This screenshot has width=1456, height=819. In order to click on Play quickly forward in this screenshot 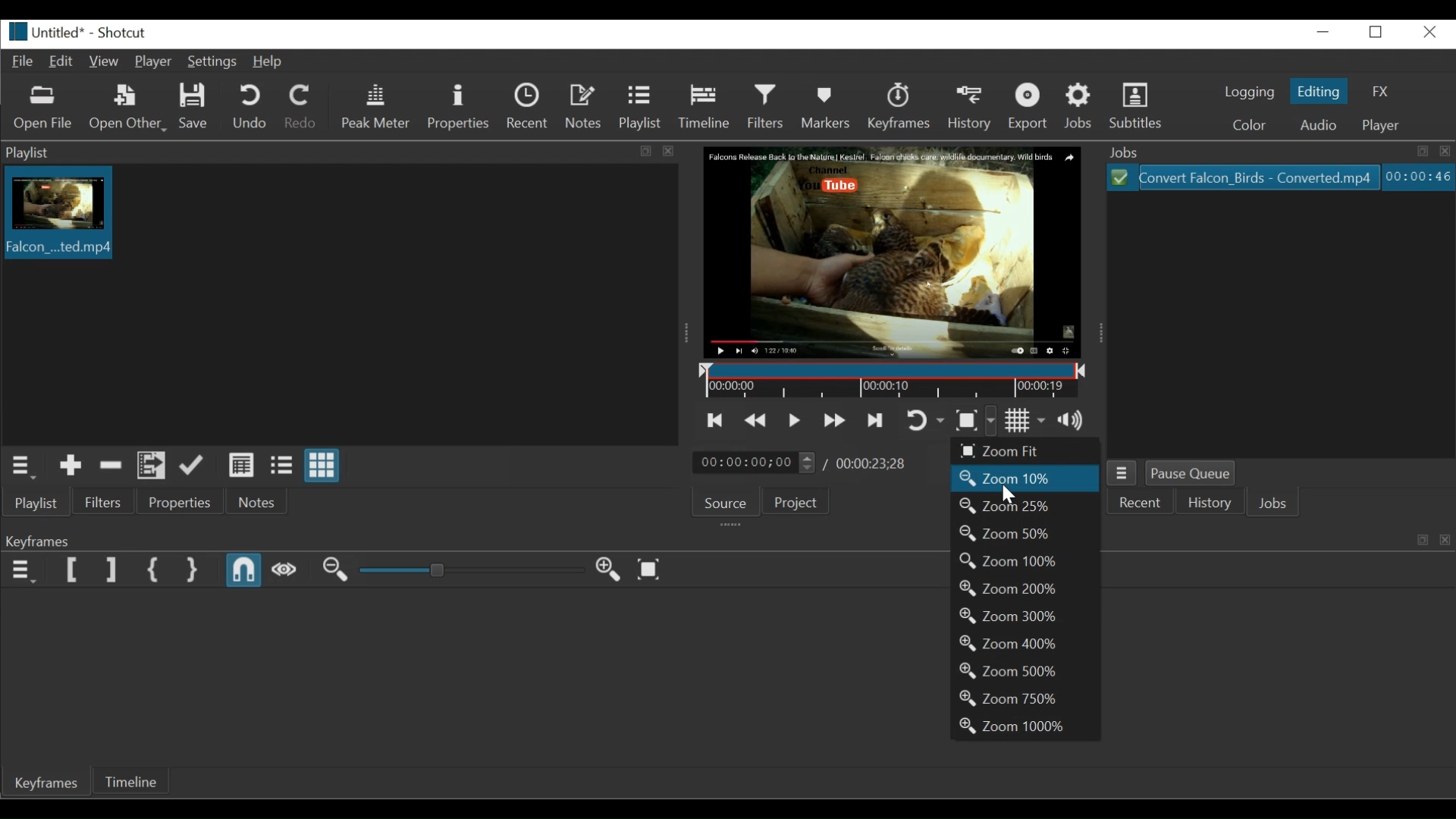, I will do `click(833, 419)`.